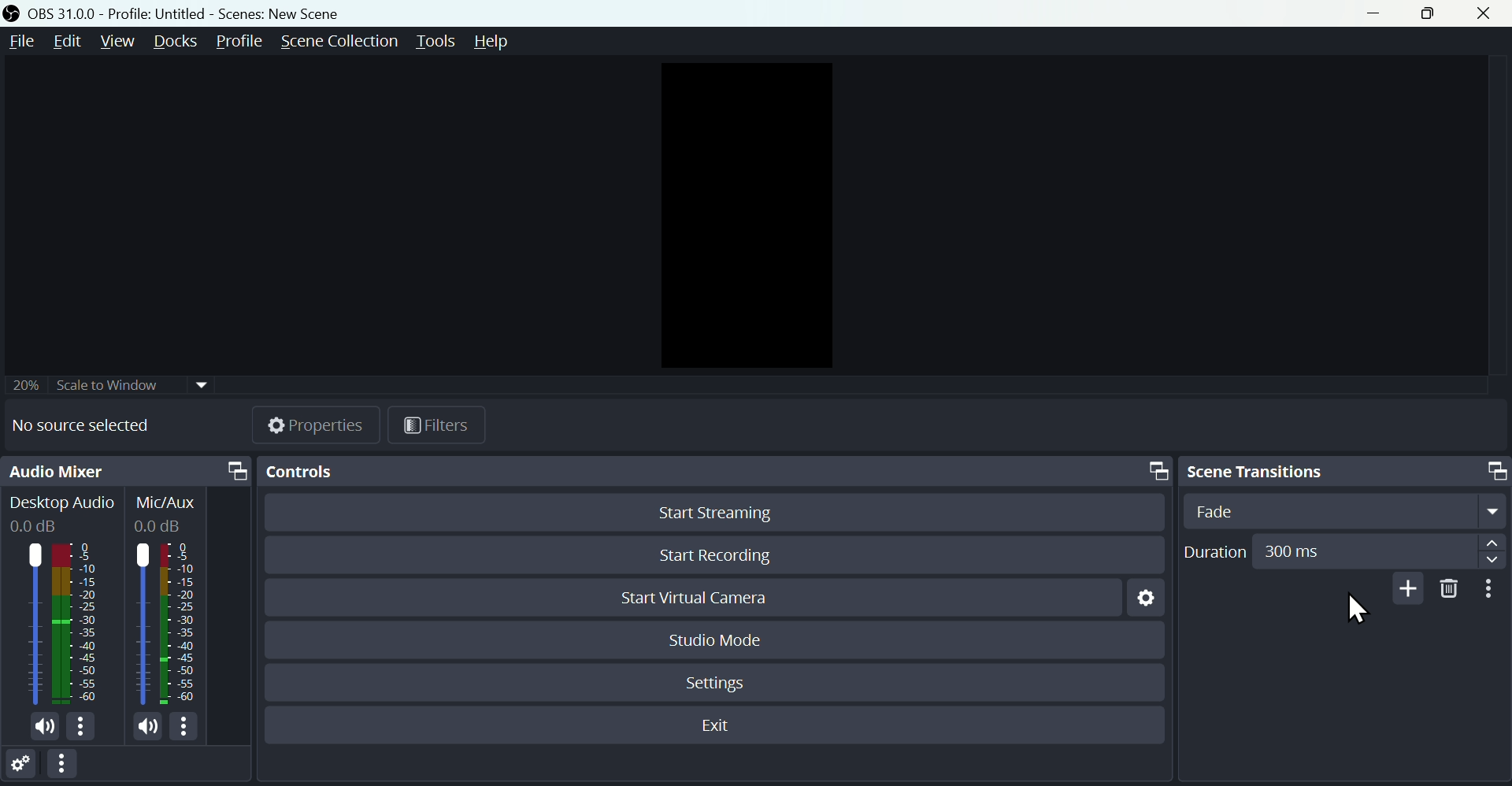 The image size is (1512, 786). Describe the element at coordinates (317, 424) in the screenshot. I see `Properties` at that location.